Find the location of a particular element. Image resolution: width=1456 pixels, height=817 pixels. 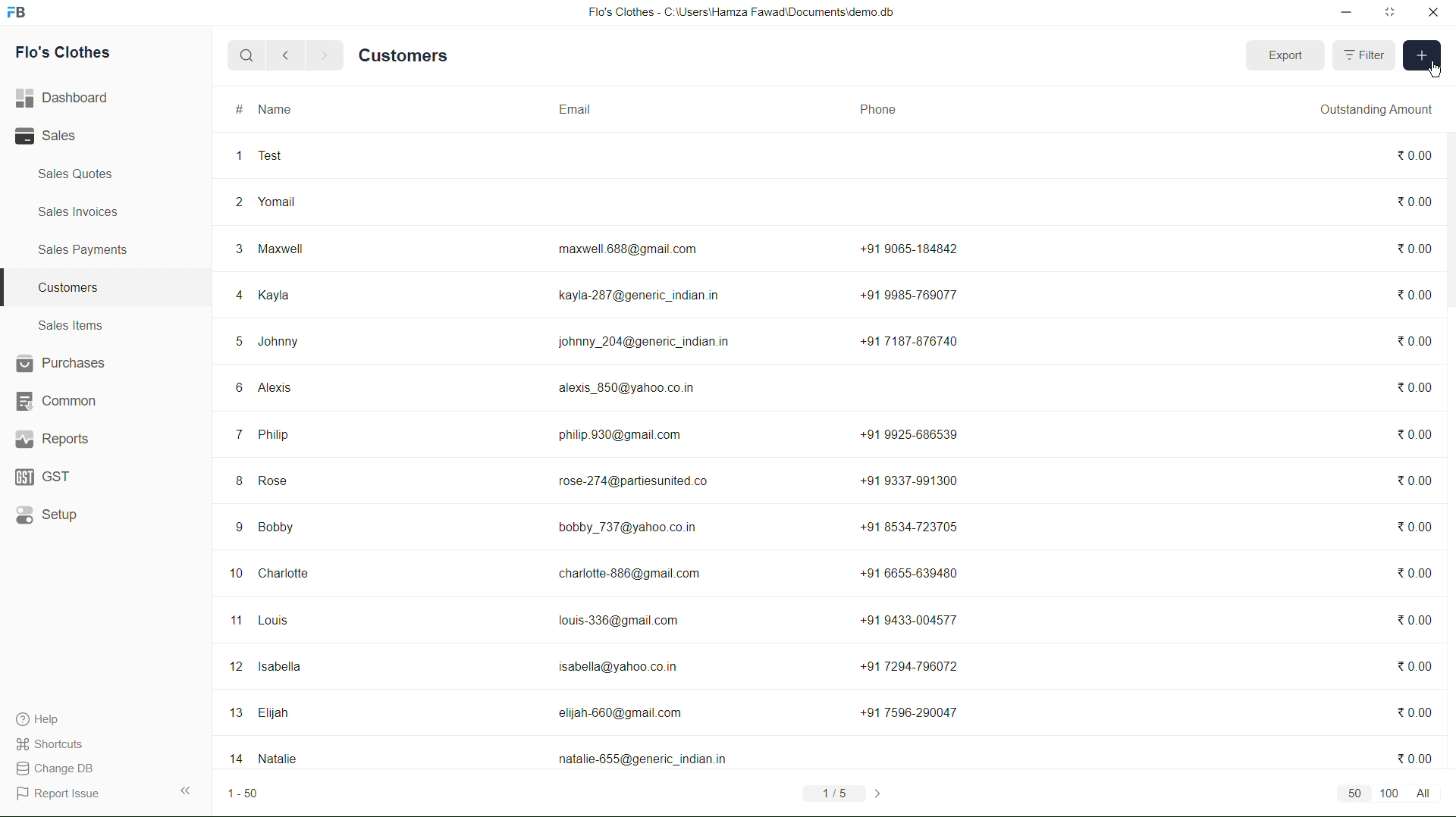

2 is located at coordinates (238, 204).